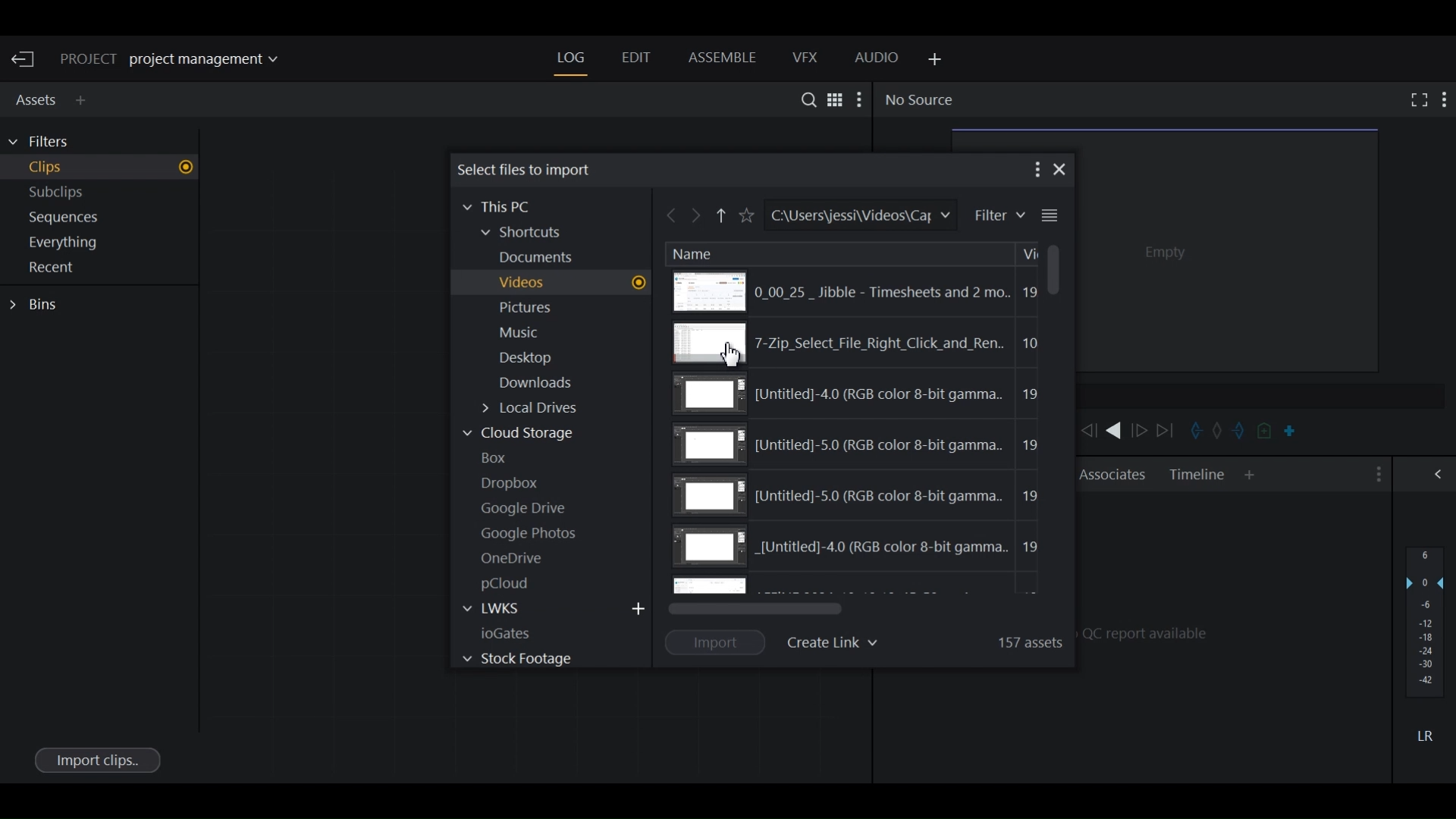 This screenshot has width=1456, height=819. What do you see at coordinates (1241, 430) in the screenshot?
I see `Mark out` at bounding box center [1241, 430].